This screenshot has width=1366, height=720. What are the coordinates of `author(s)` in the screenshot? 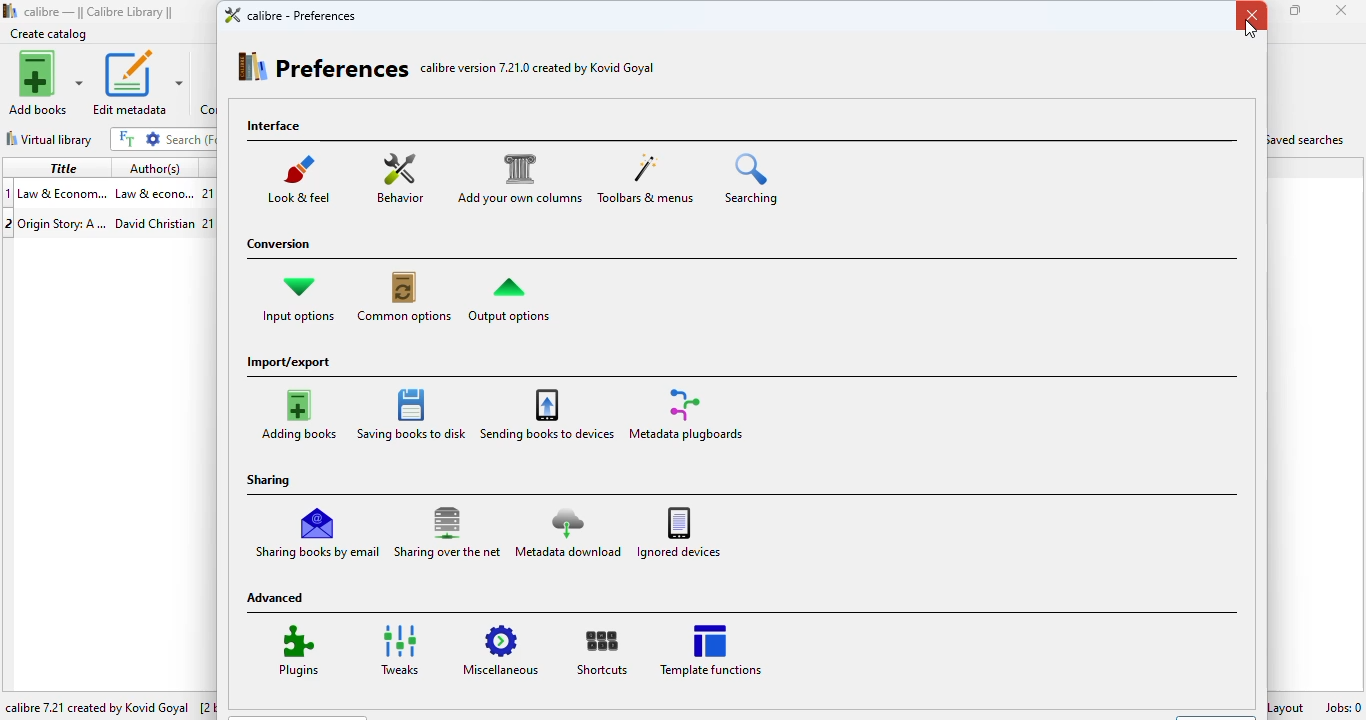 It's located at (157, 168).